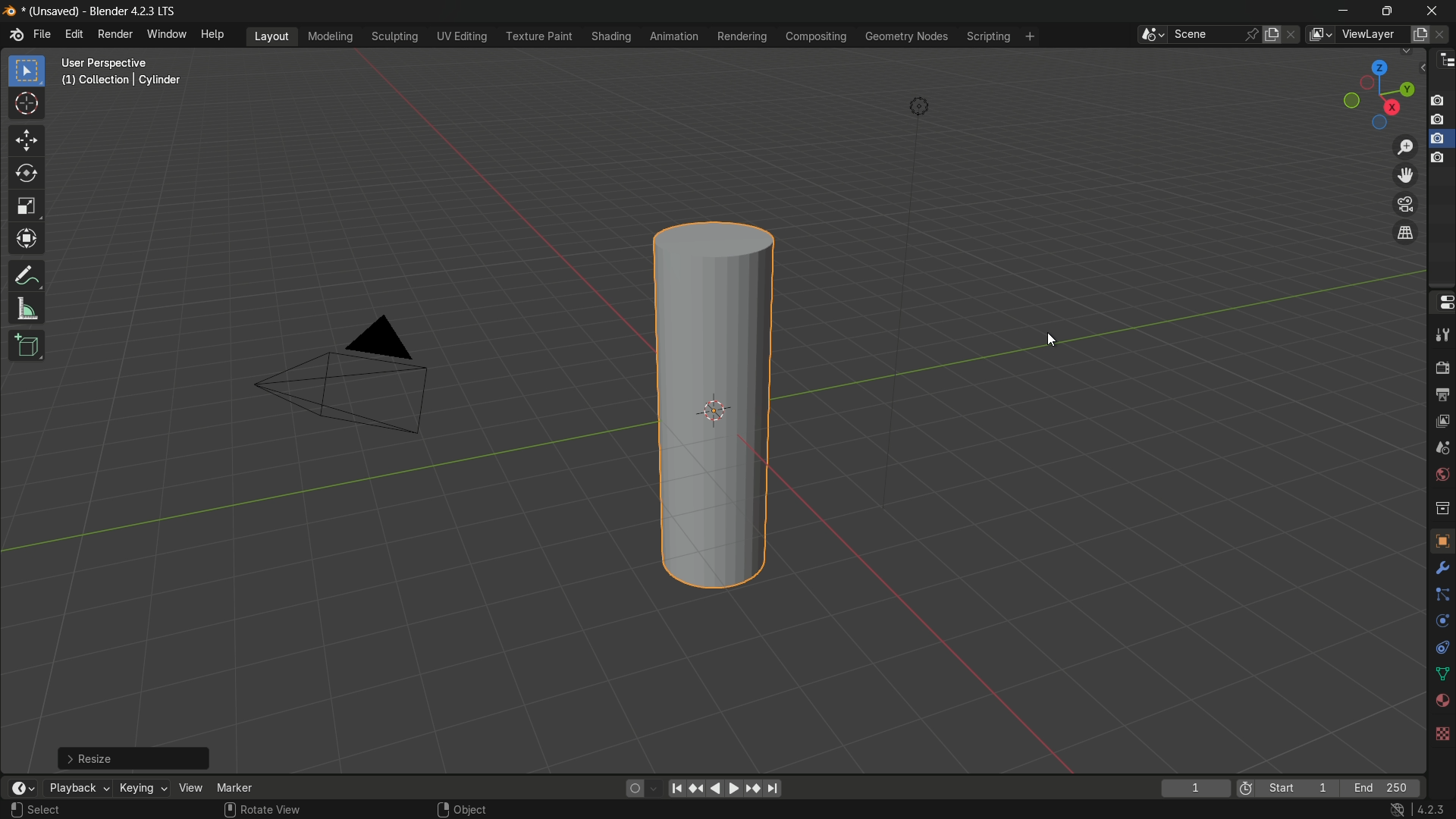 This screenshot has height=819, width=1456. Describe the element at coordinates (1441, 422) in the screenshot. I see `view layer` at that location.